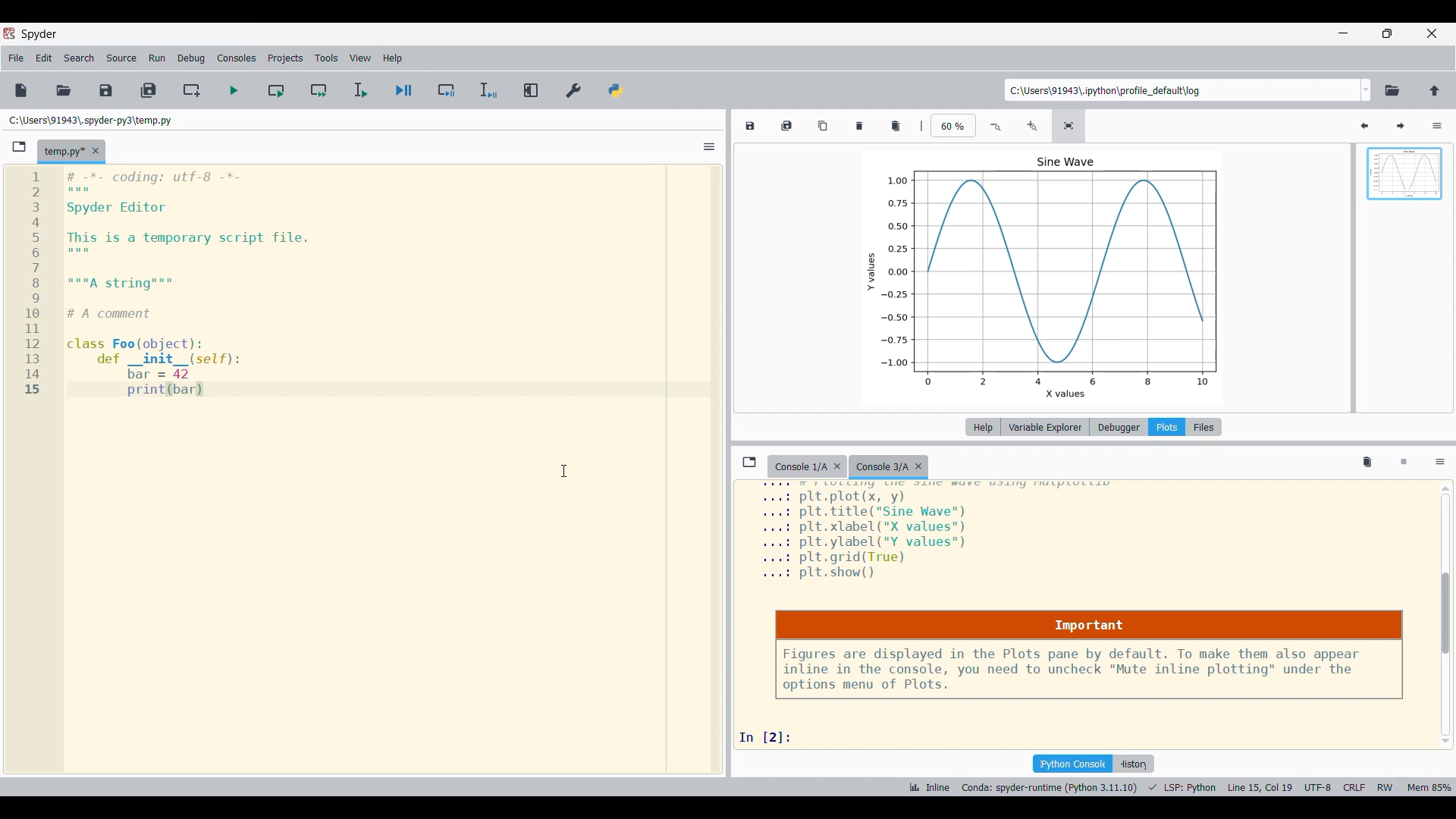 The width and height of the screenshot is (1456, 819). What do you see at coordinates (1072, 764) in the screenshot?
I see `IPython console` at bounding box center [1072, 764].